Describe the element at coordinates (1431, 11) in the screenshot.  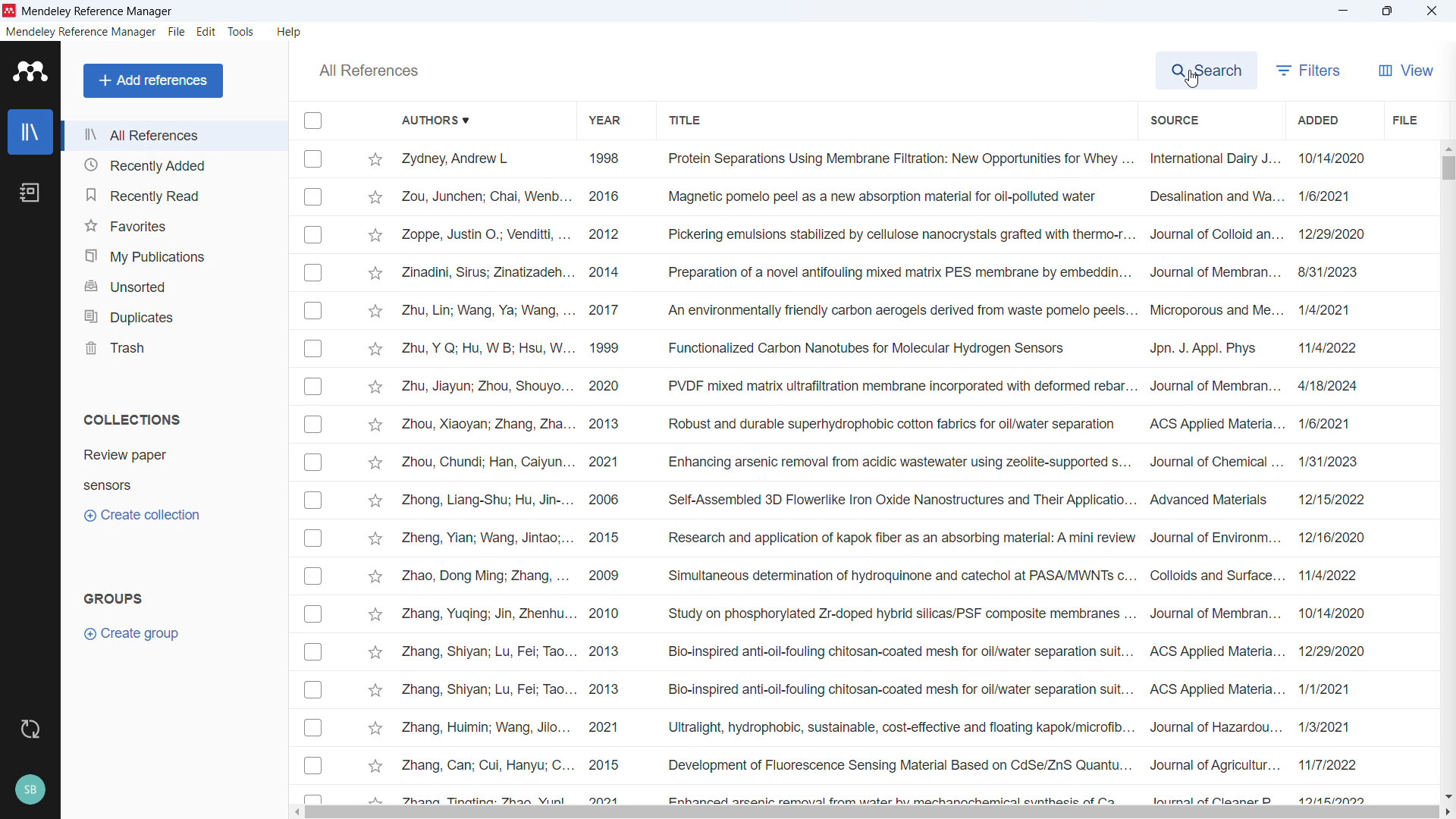
I see `Close ` at that location.